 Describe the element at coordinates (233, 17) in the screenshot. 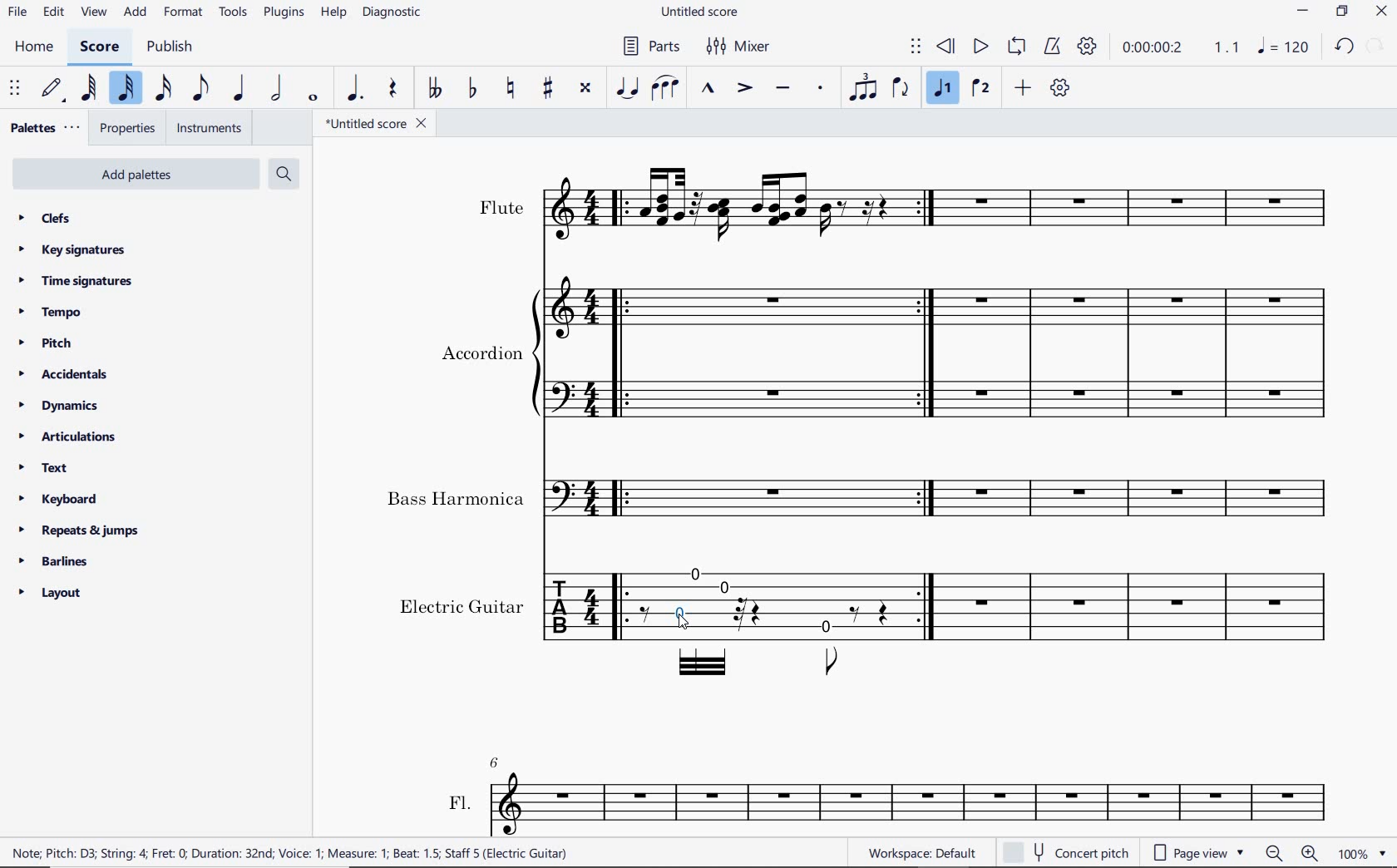

I see `tools` at that location.